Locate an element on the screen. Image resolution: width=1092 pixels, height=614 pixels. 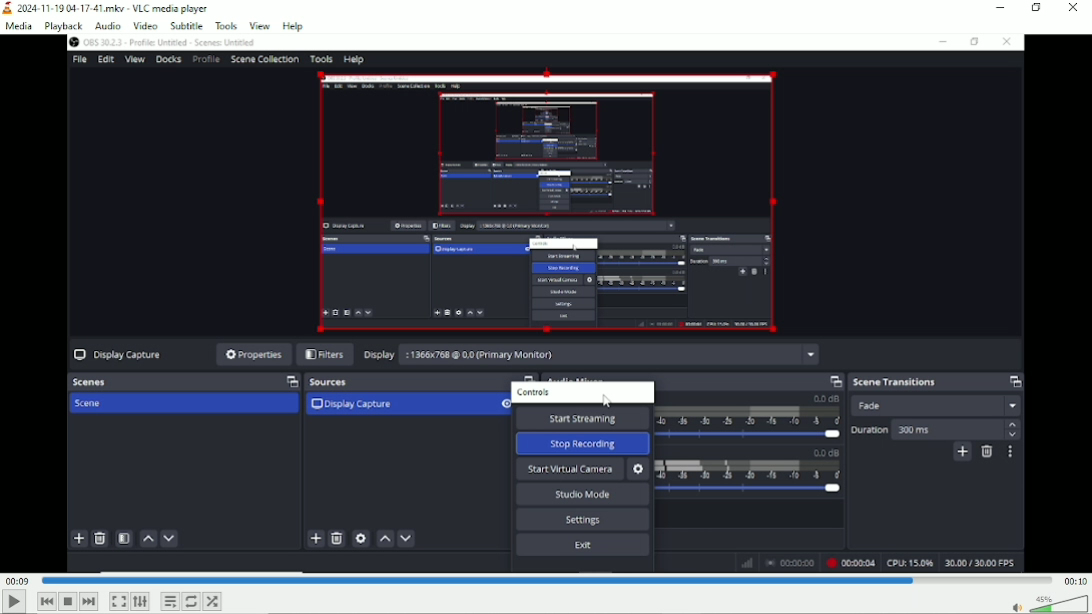
Previous is located at coordinates (47, 601).